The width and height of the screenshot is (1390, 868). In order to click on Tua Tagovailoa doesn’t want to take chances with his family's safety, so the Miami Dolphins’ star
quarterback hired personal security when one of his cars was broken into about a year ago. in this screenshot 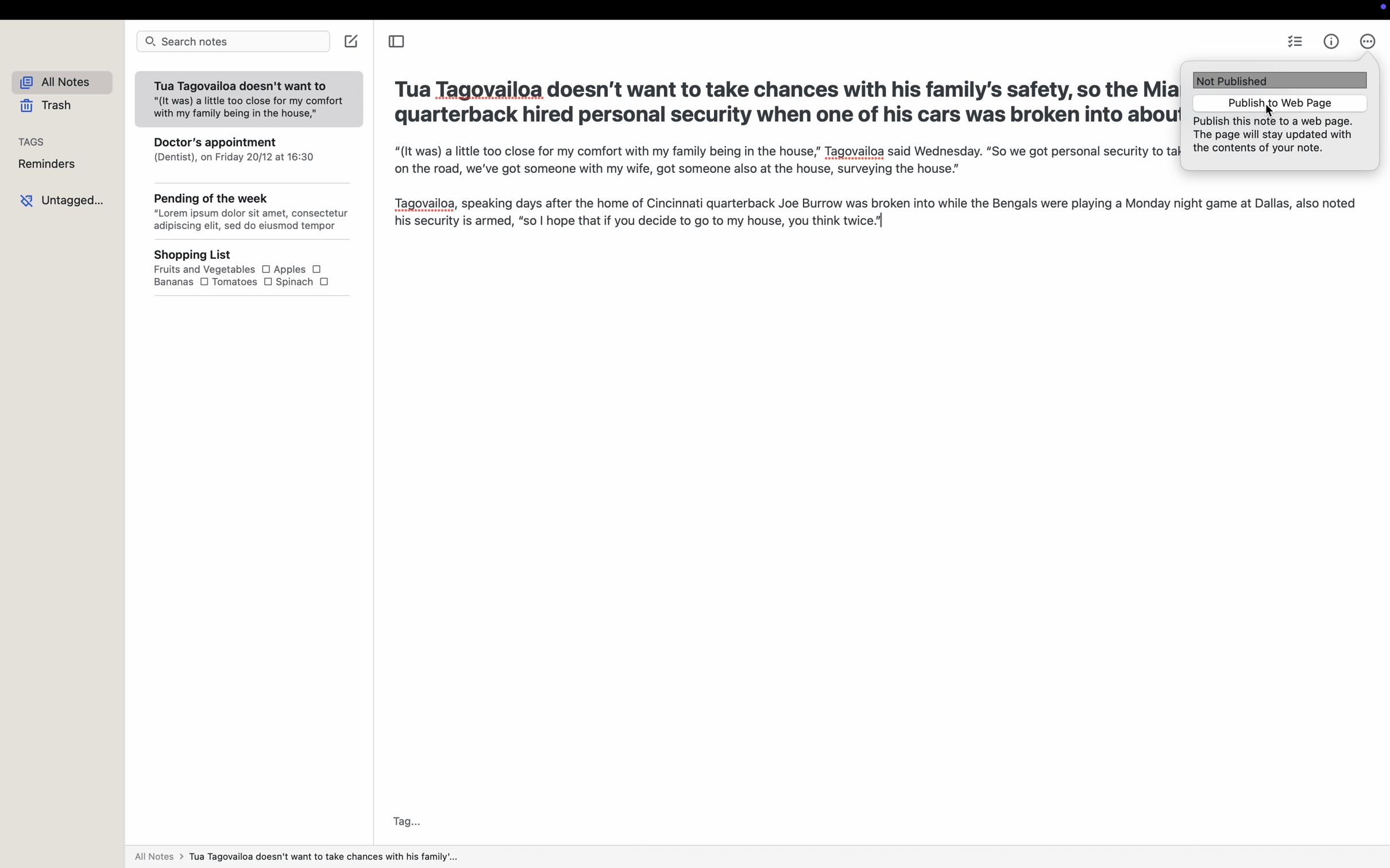, I will do `click(779, 106)`.